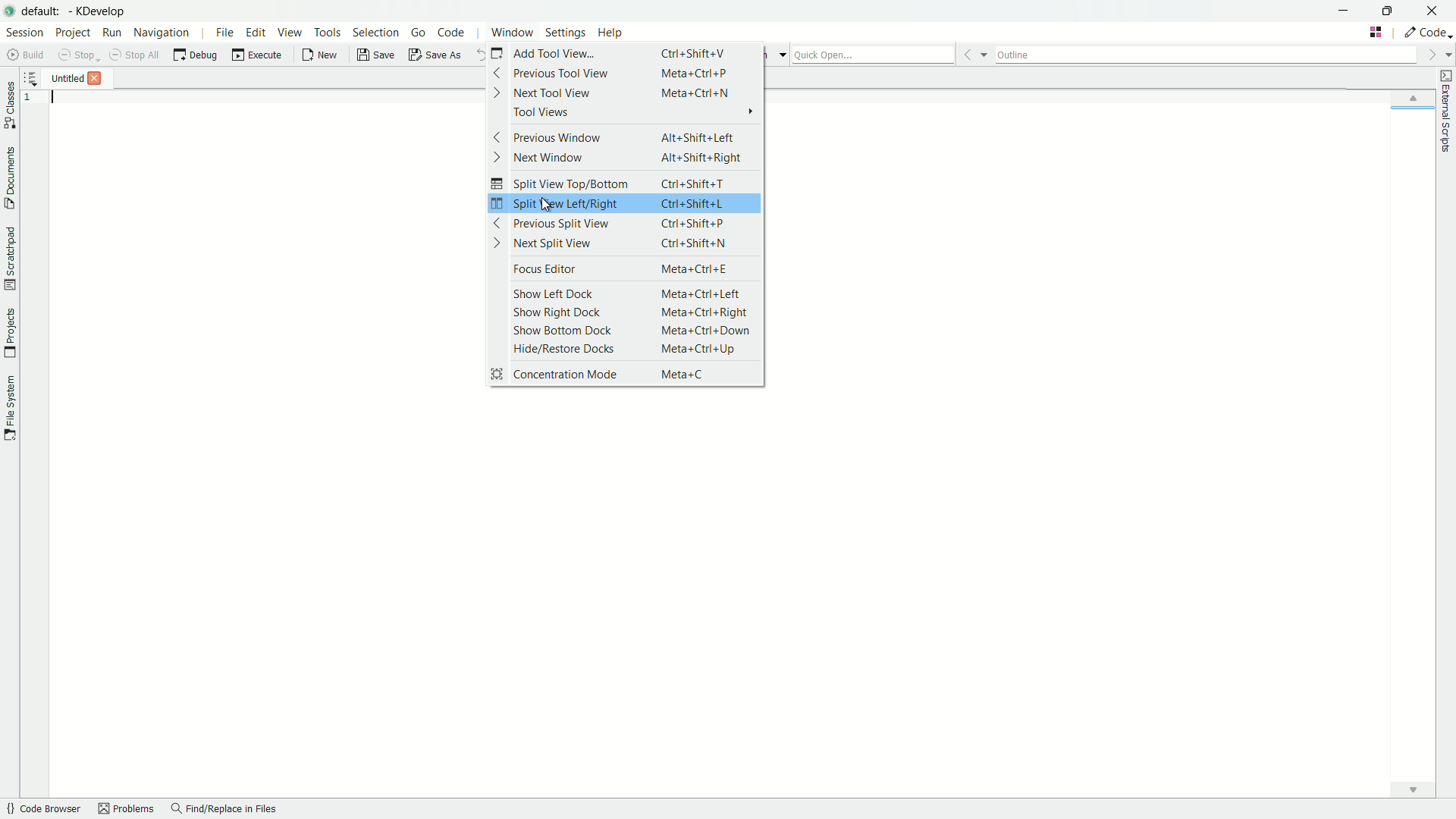  I want to click on show right dock, so click(573, 312).